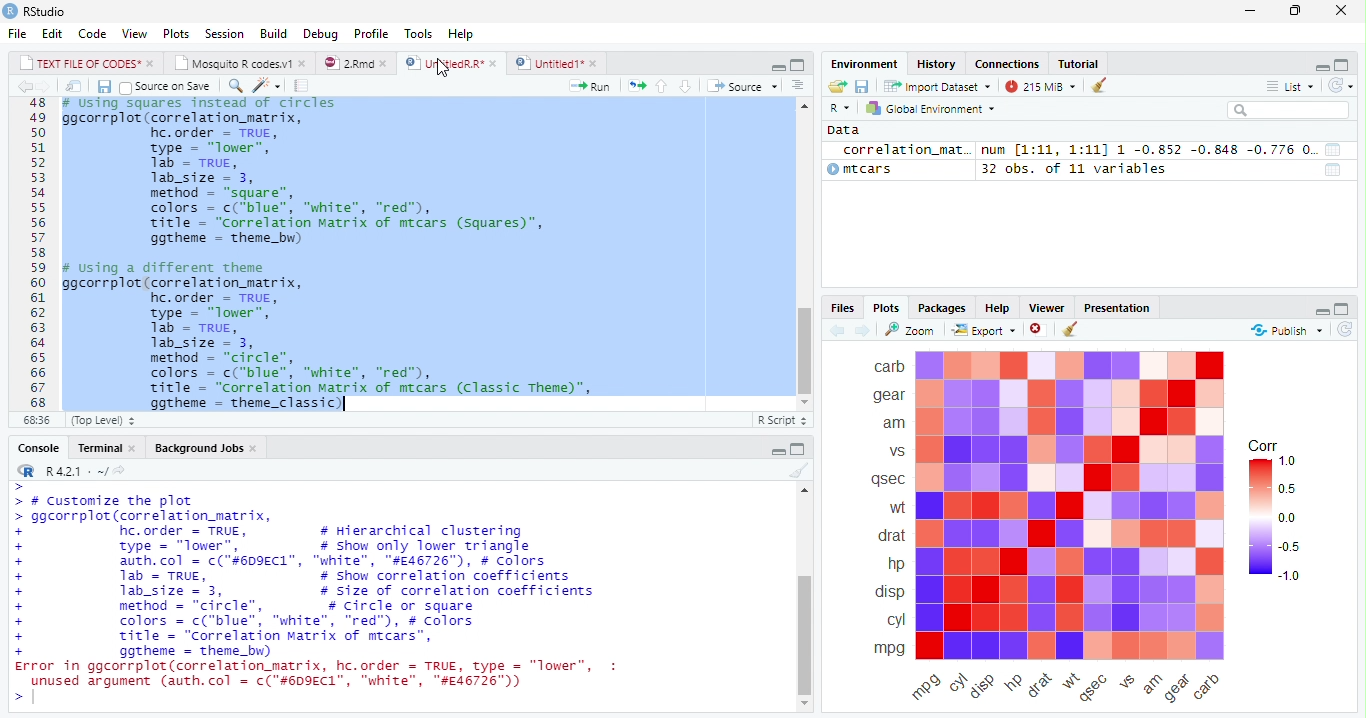 This screenshot has height=718, width=1366. Describe the element at coordinates (1071, 506) in the screenshot. I see `graph` at that location.